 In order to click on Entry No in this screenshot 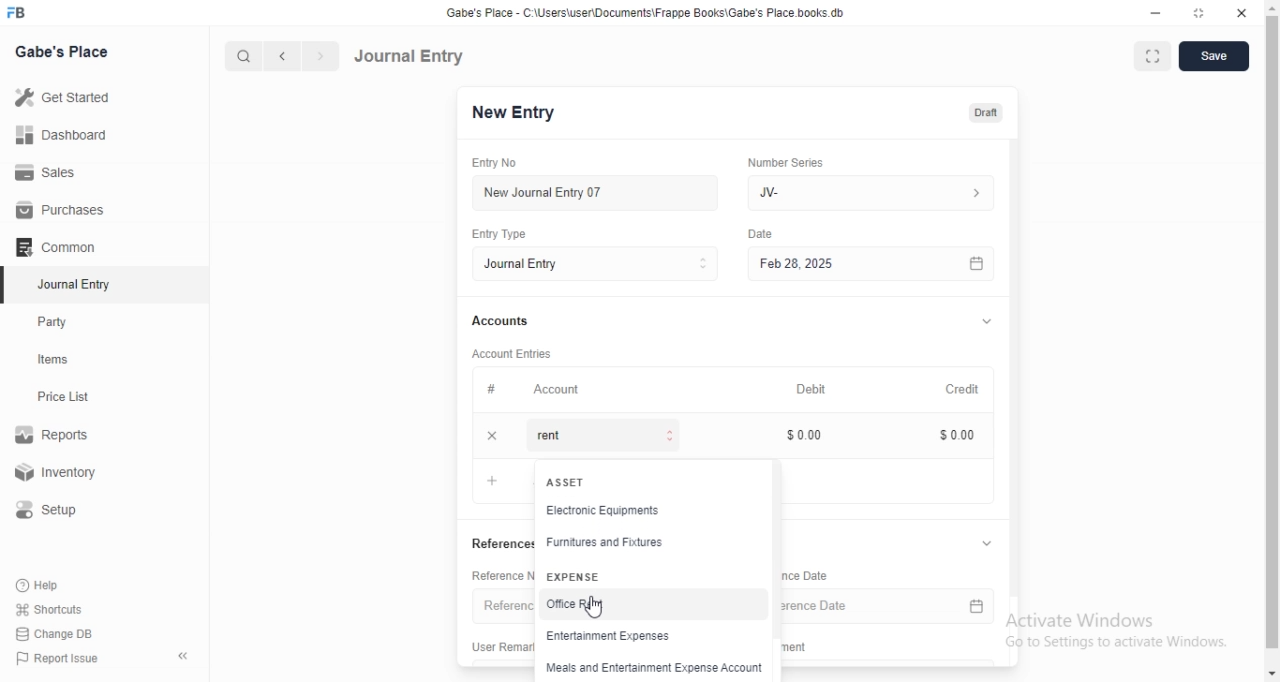, I will do `click(505, 163)`.